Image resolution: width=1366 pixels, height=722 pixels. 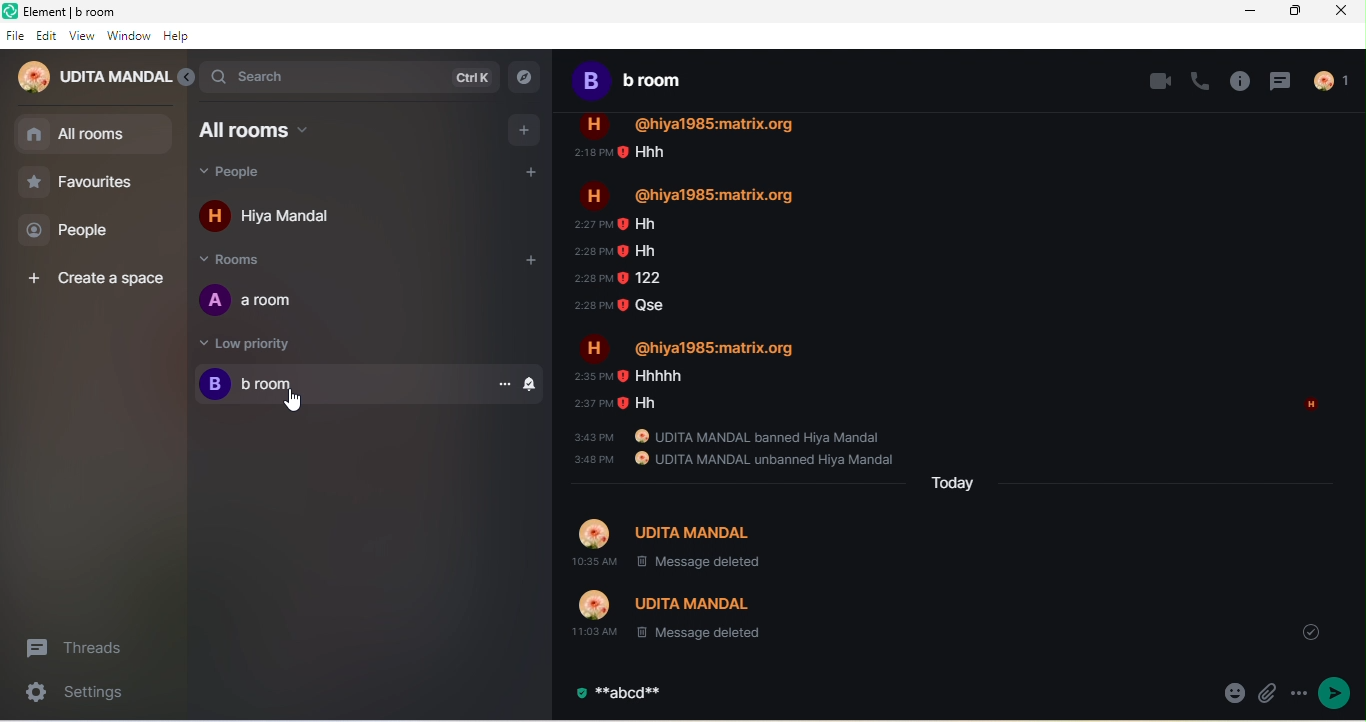 I want to click on close, so click(x=1345, y=13).